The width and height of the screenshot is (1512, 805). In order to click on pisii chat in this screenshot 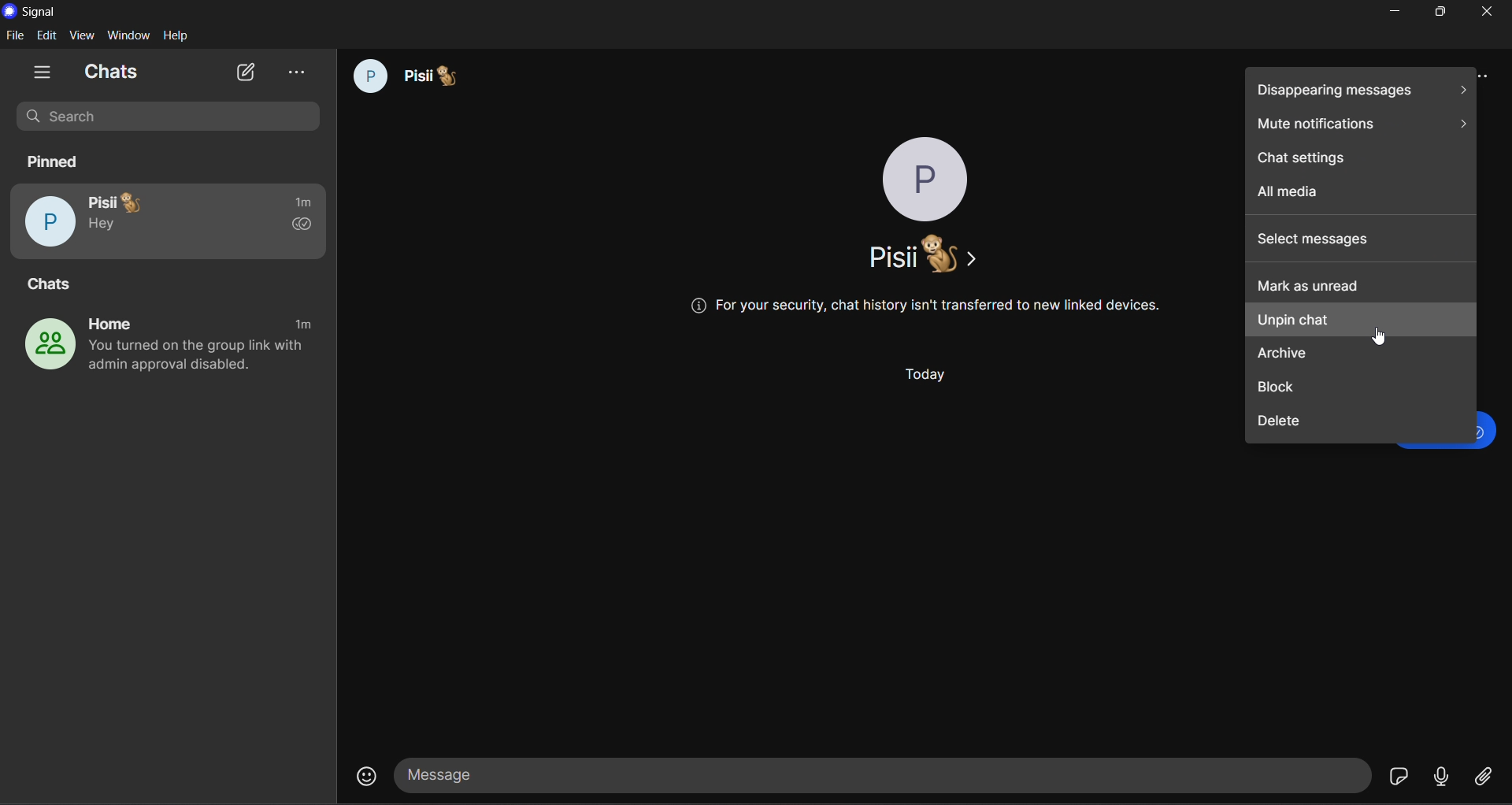, I will do `click(409, 79)`.